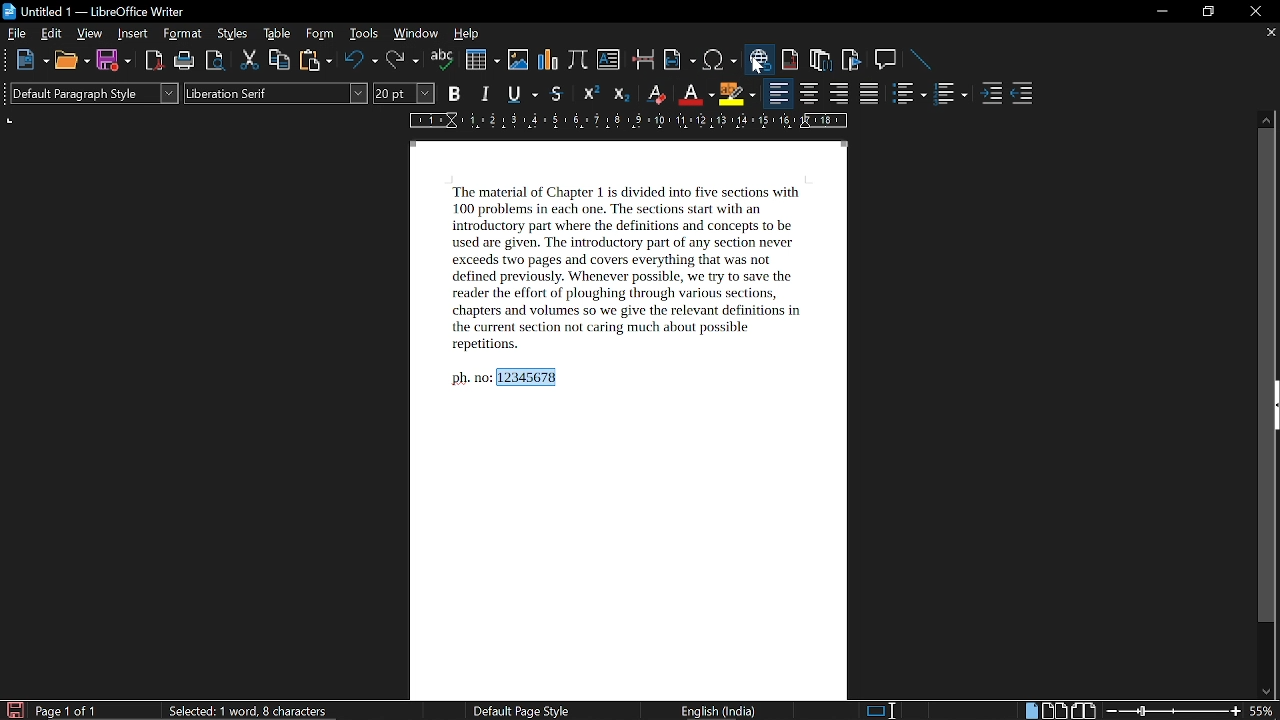 The height and width of the screenshot is (720, 1280). Describe the element at coordinates (276, 93) in the screenshot. I see `font style` at that location.